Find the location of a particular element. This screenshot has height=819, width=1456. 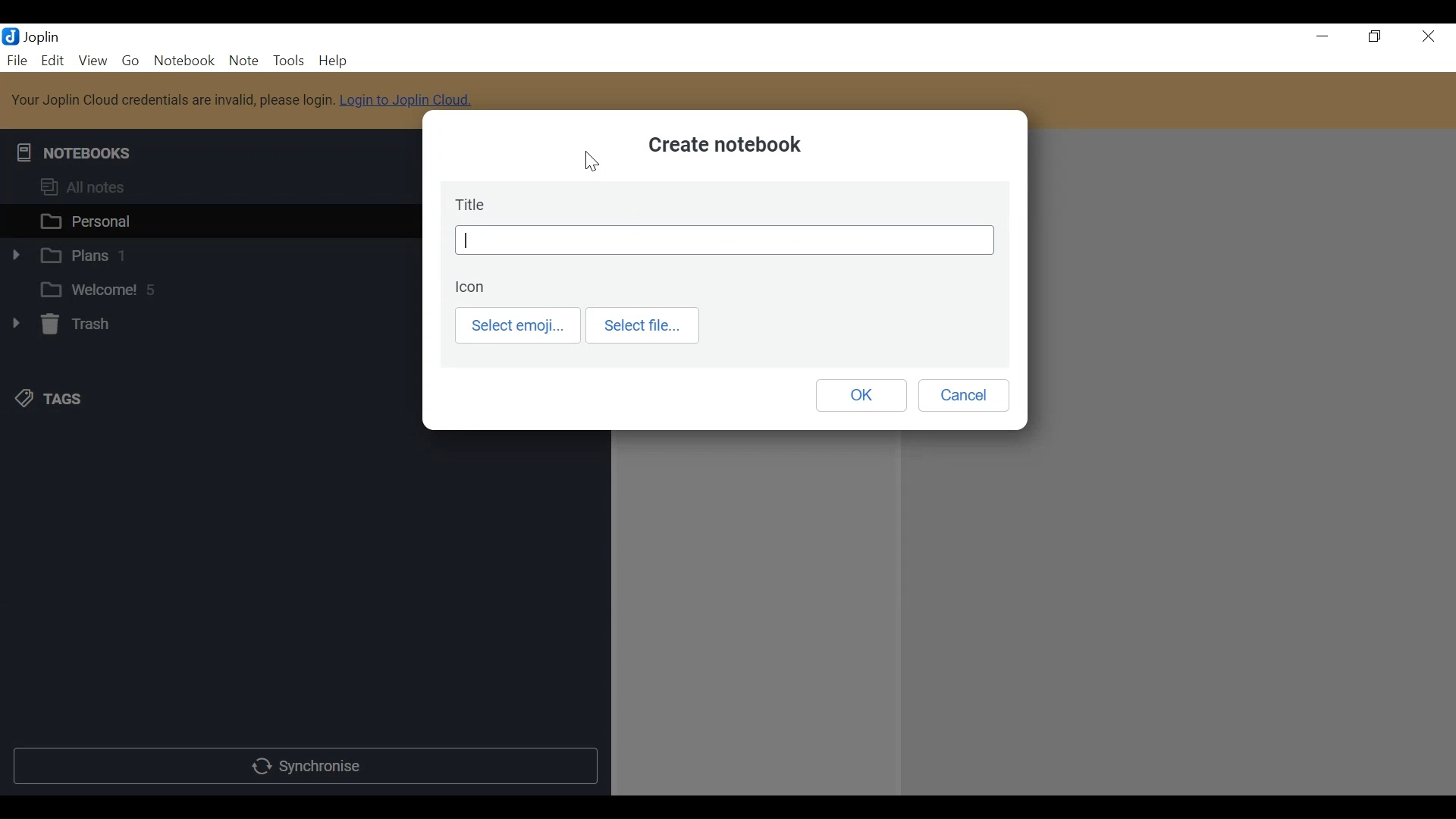

Your Joplin cloud credentials are invalid, please login. is located at coordinates (174, 99).